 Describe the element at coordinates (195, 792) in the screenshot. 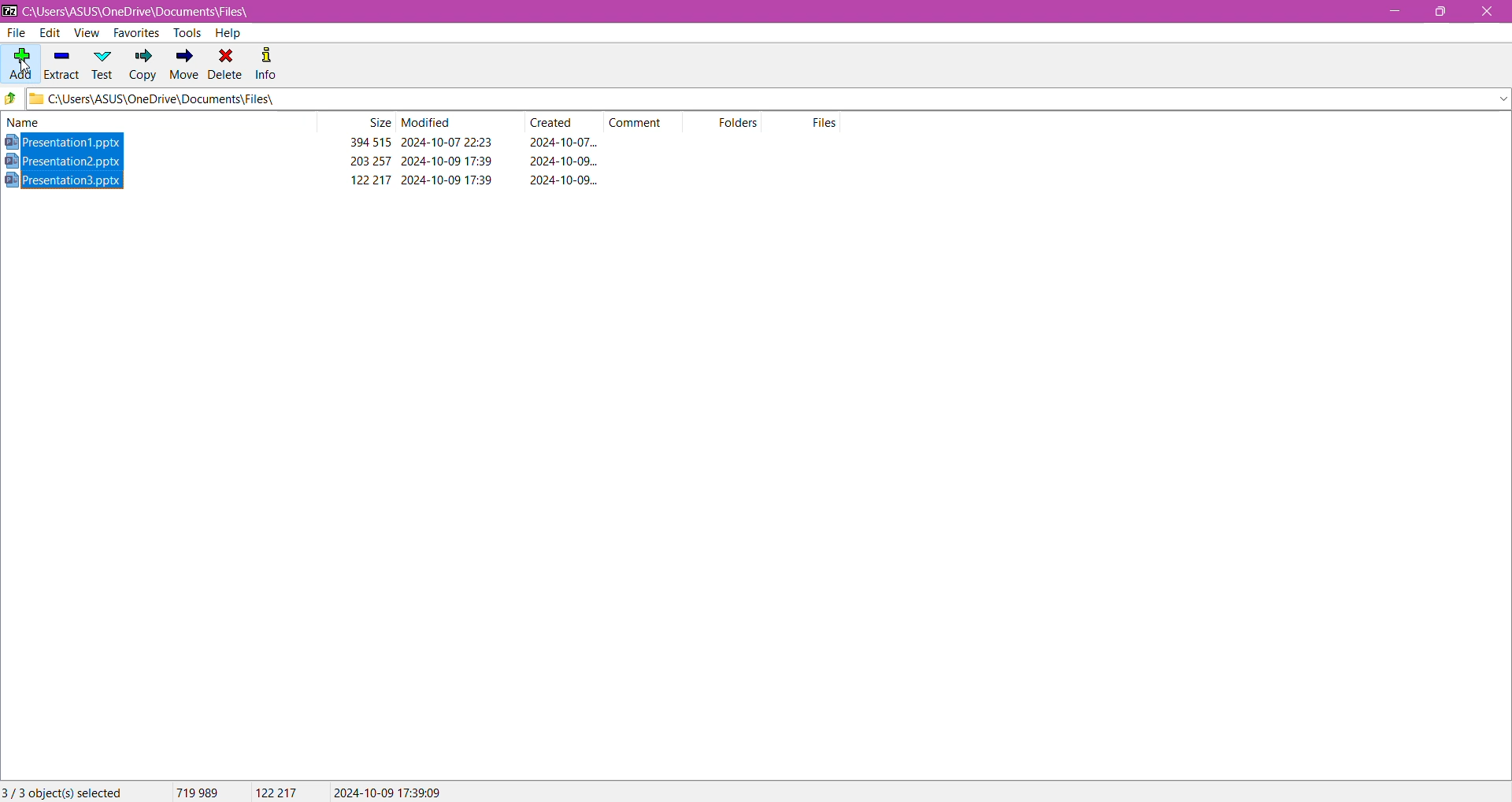

I see `719989` at that location.